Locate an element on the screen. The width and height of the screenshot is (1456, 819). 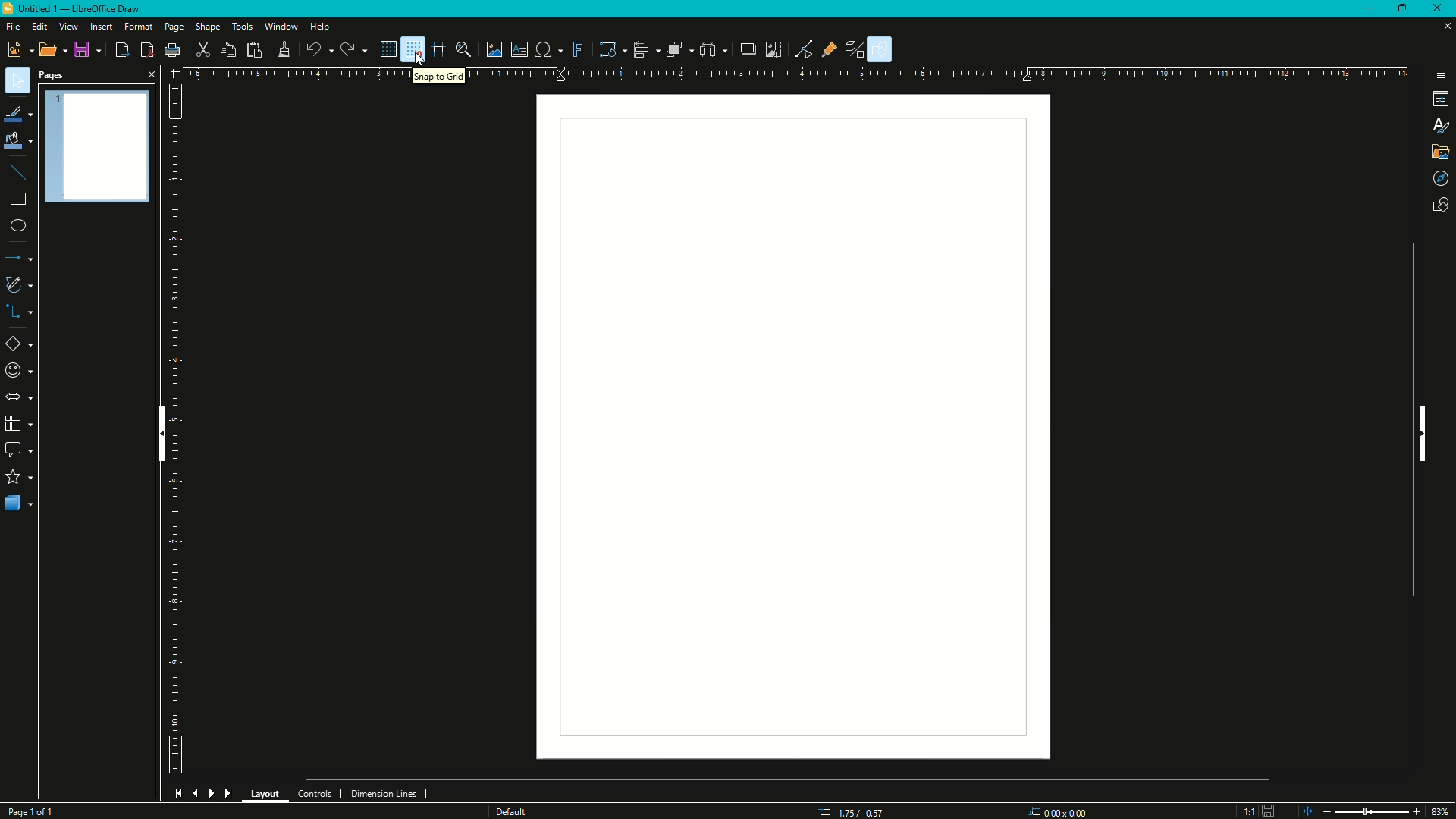
Save is located at coordinates (82, 49).